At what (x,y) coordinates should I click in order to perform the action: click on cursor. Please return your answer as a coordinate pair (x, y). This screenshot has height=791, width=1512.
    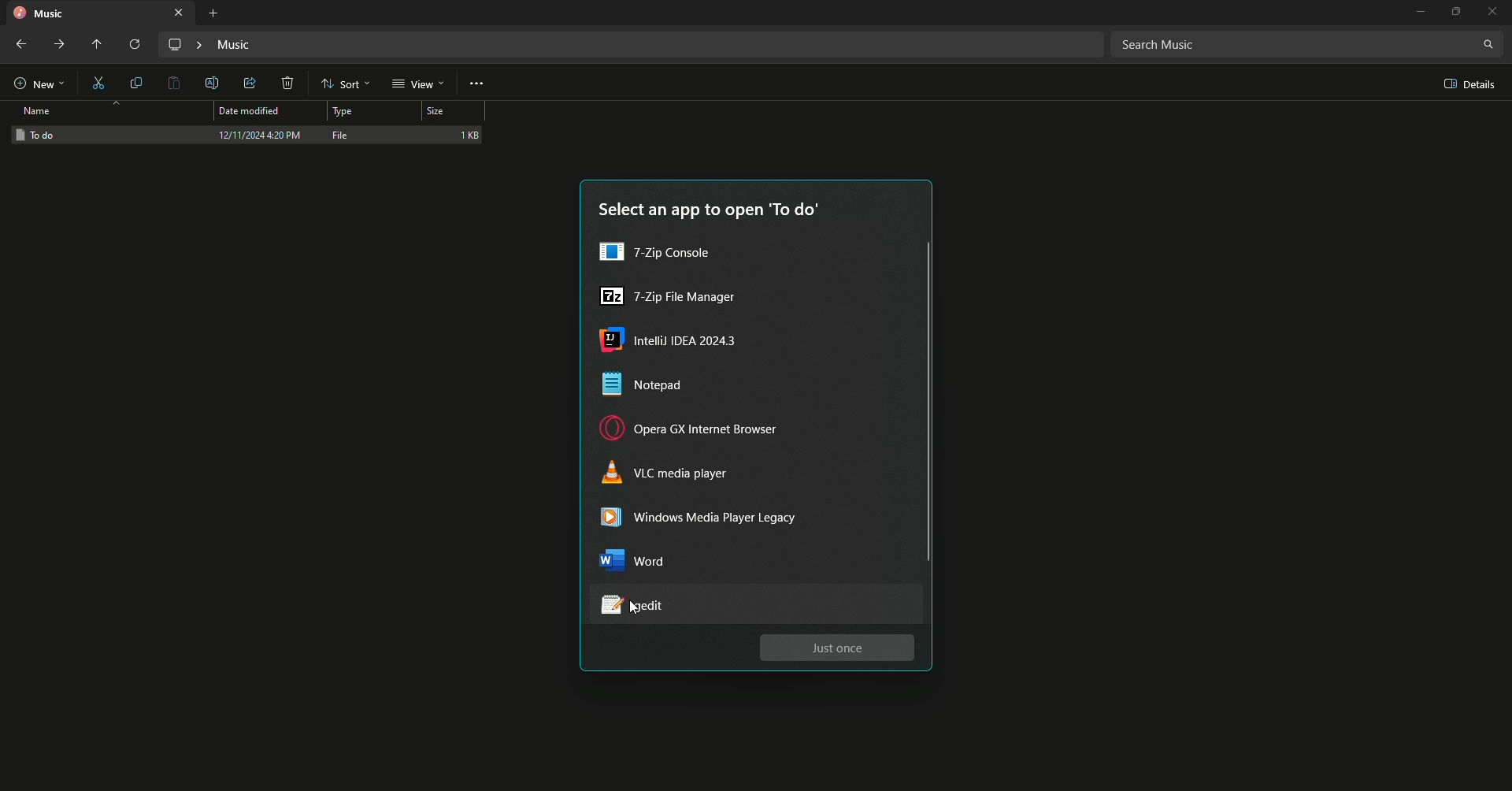
    Looking at the image, I should click on (632, 615).